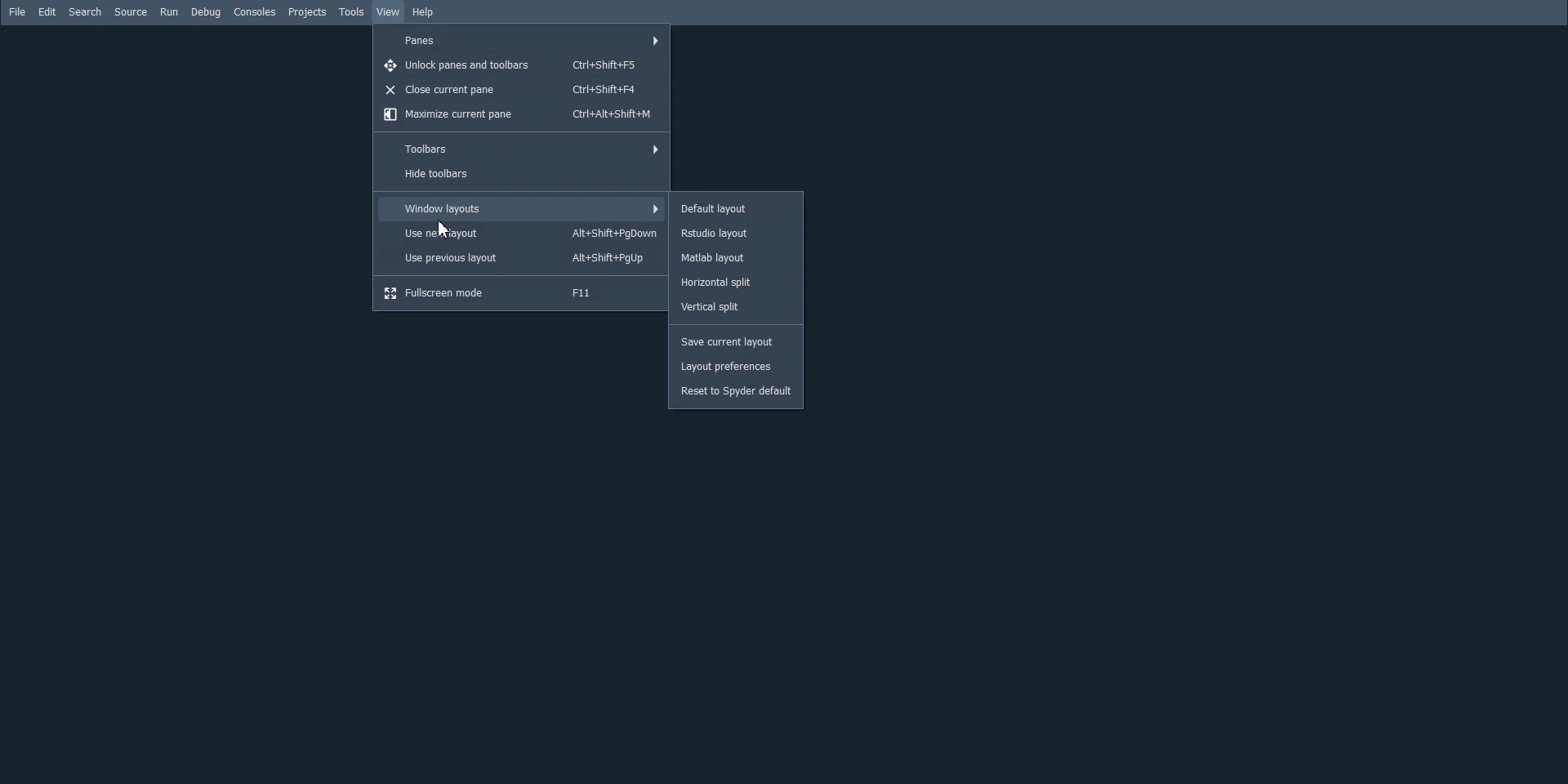  Describe the element at coordinates (519, 175) in the screenshot. I see `Hide toolbars` at that location.